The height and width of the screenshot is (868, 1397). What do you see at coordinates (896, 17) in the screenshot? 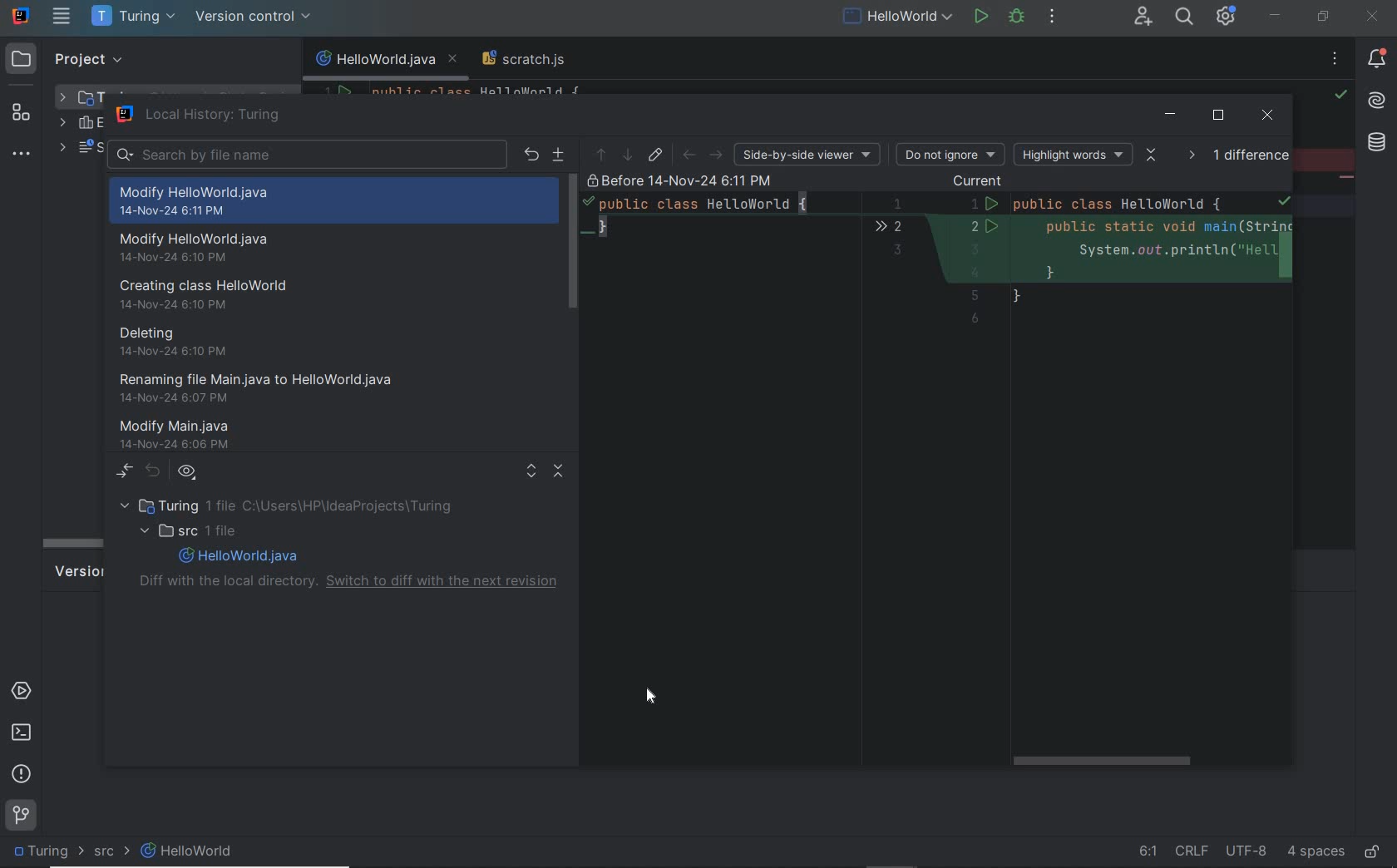
I see `run/debug configuration` at bounding box center [896, 17].